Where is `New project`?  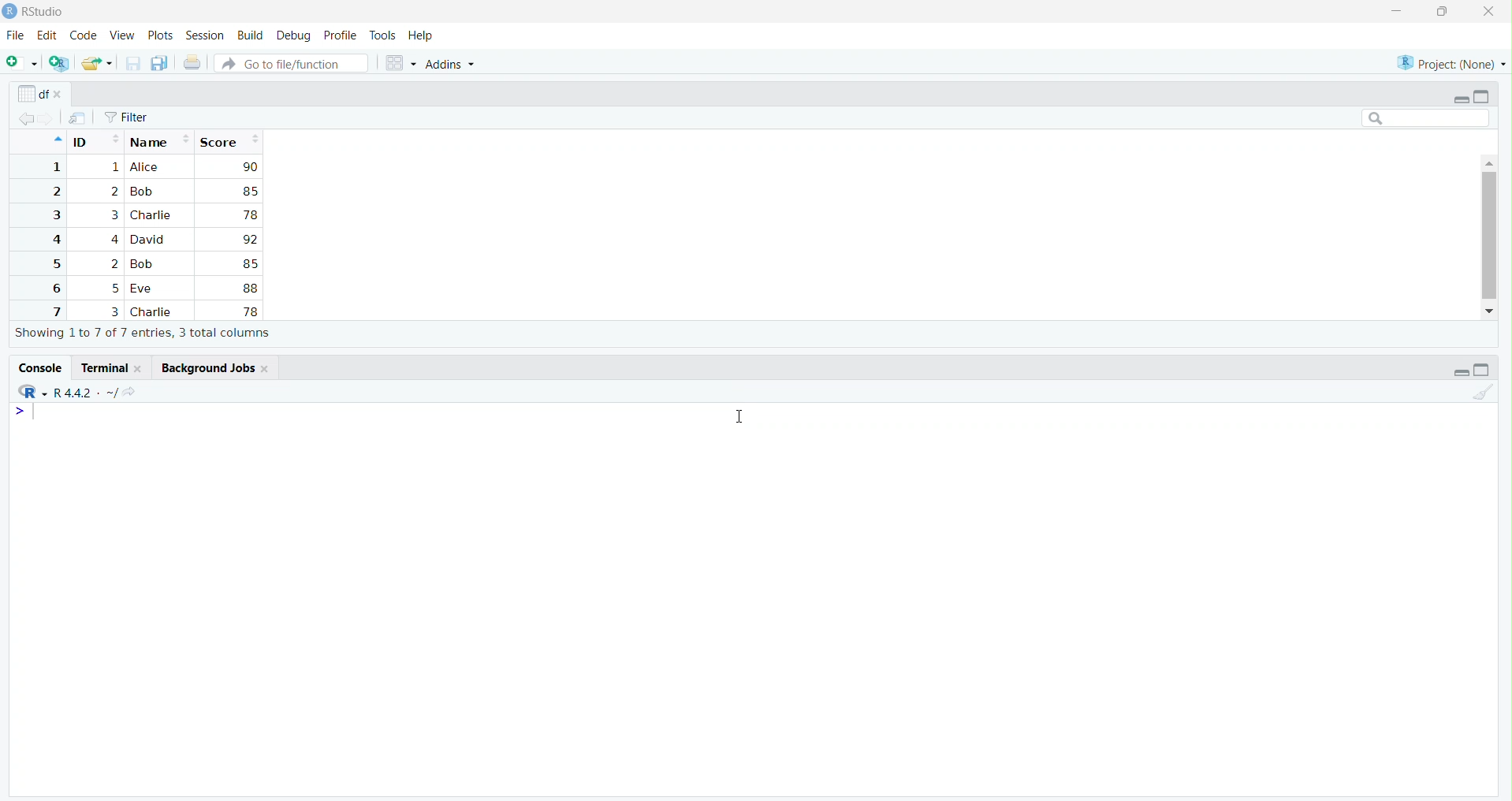 New project is located at coordinates (60, 64).